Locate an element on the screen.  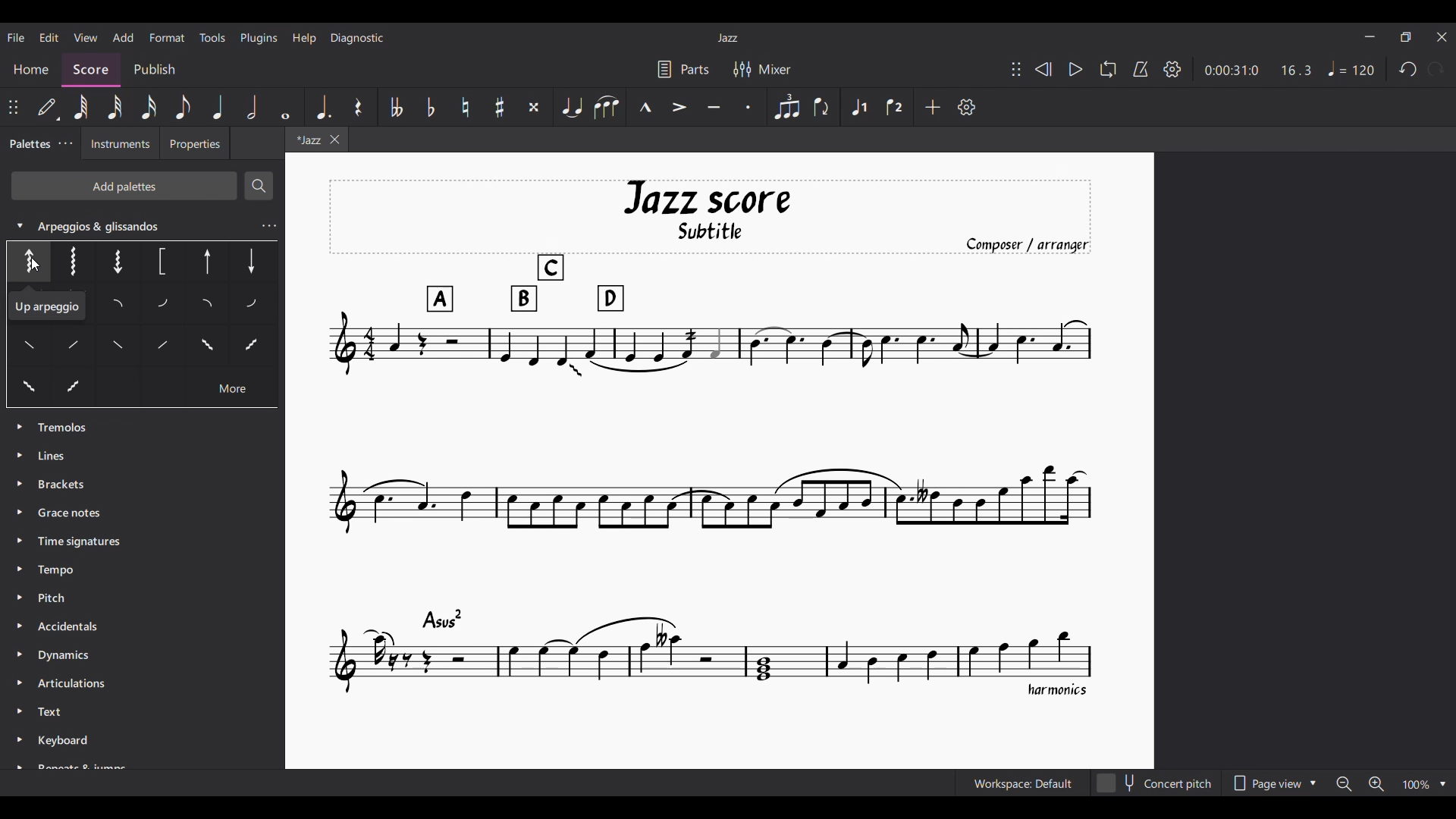
Staccato is located at coordinates (748, 108).